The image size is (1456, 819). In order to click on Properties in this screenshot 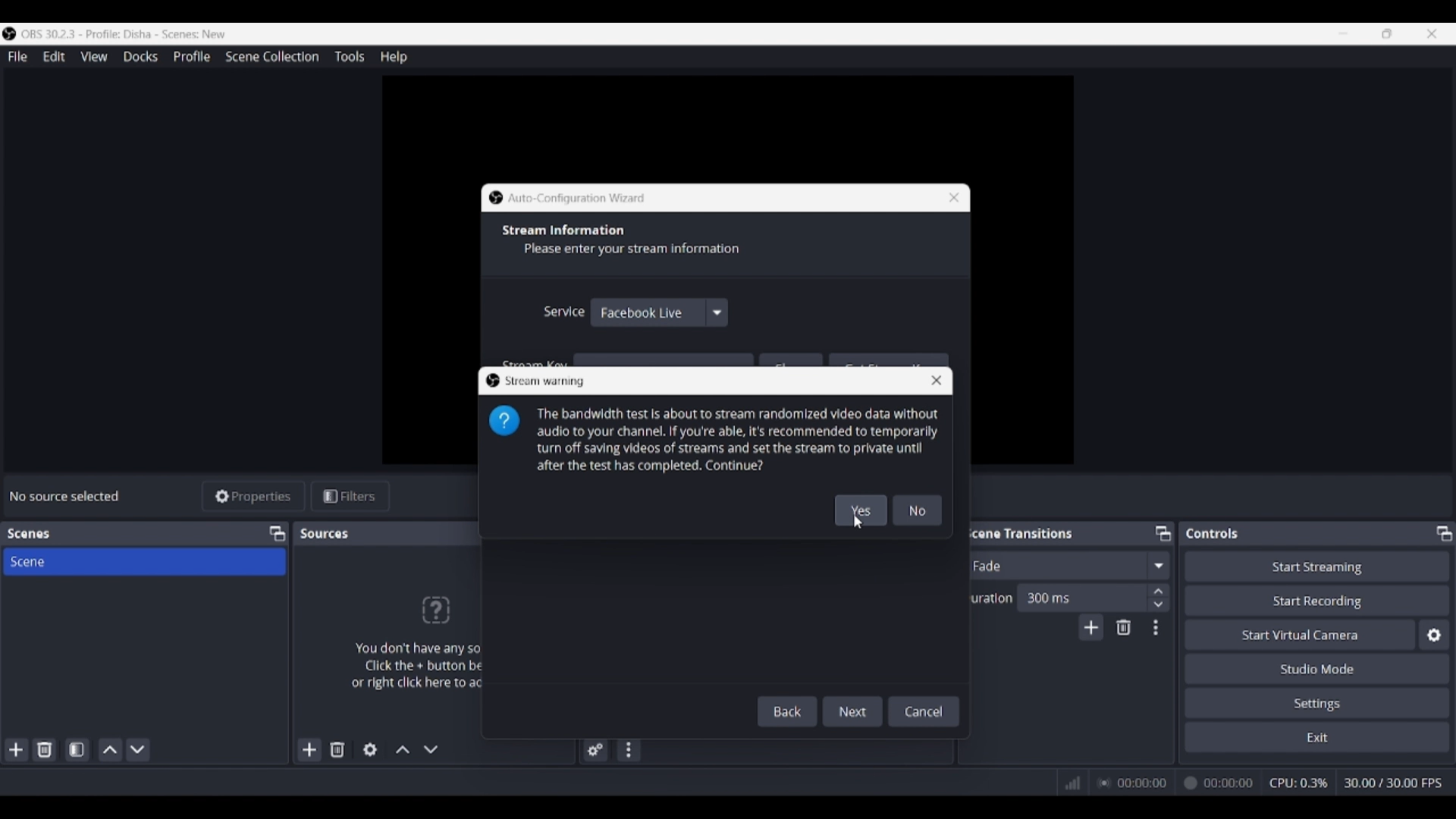, I will do `click(254, 497)`.